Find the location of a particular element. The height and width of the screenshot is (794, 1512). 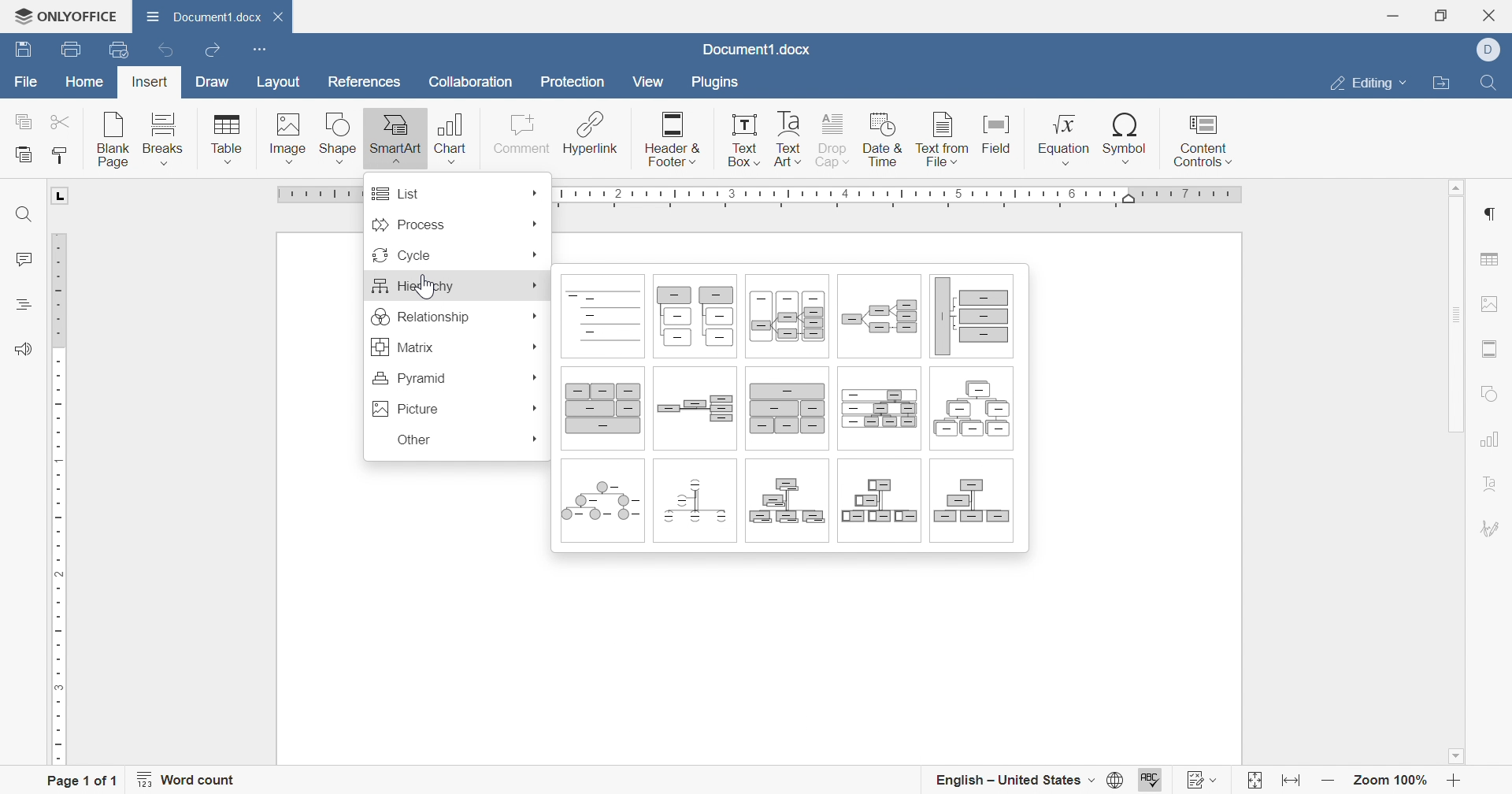

Other is located at coordinates (413, 440).